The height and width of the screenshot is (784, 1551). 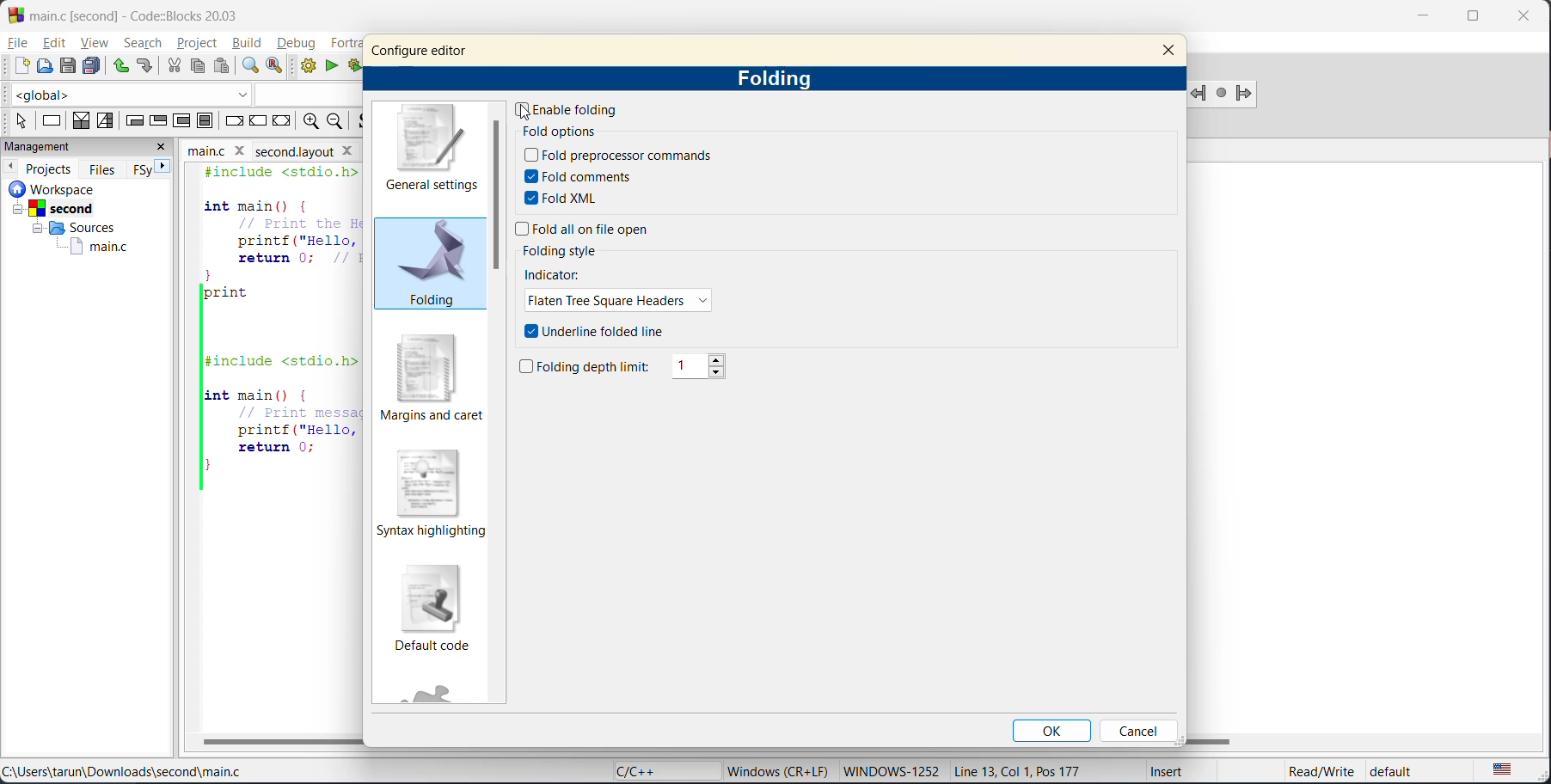 I want to click on app name and file name, so click(x=152, y=13).